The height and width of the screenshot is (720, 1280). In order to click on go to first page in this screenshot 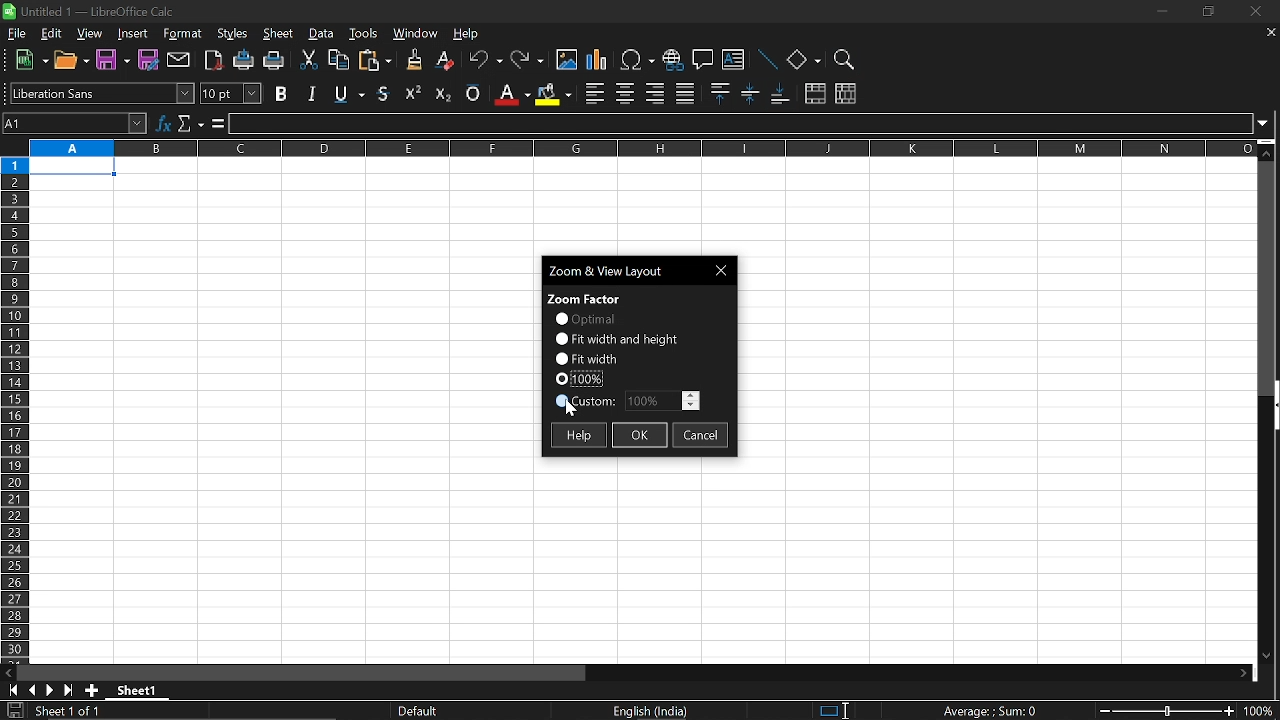, I will do `click(10, 689)`.